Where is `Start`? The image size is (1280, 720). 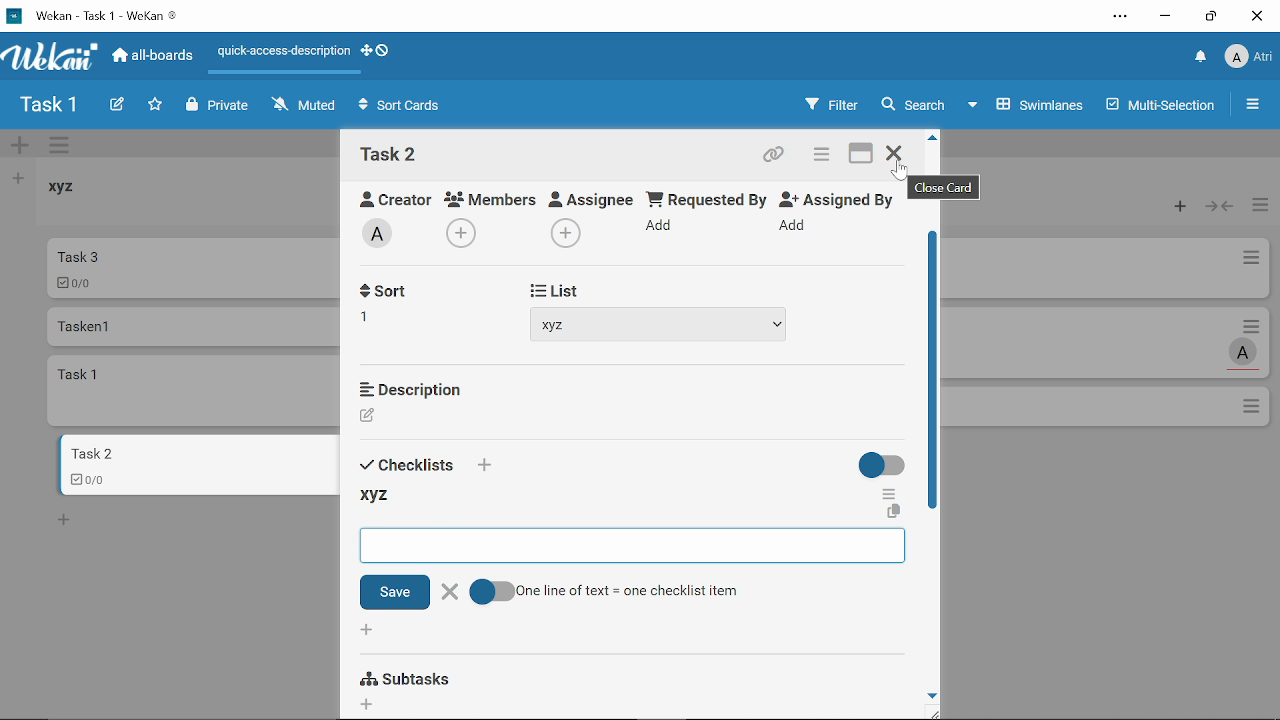 Start is located at coordinates (549, 288).